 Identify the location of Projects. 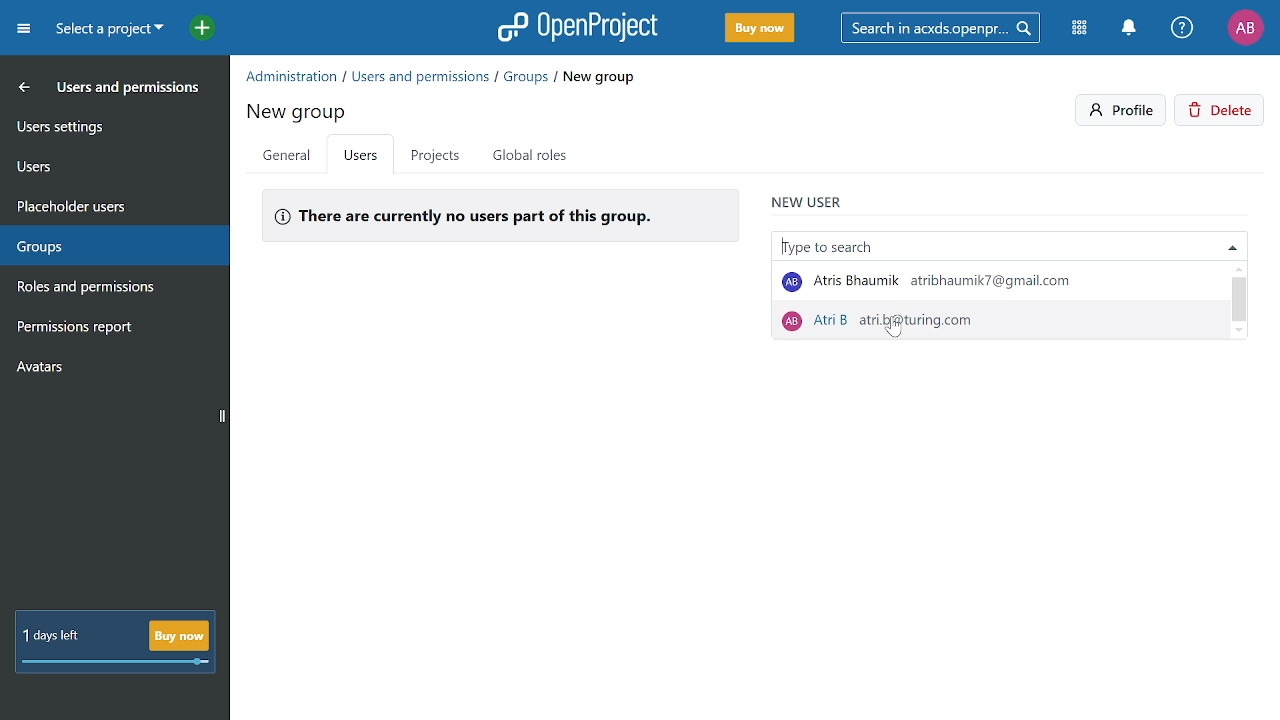
(434, 155).